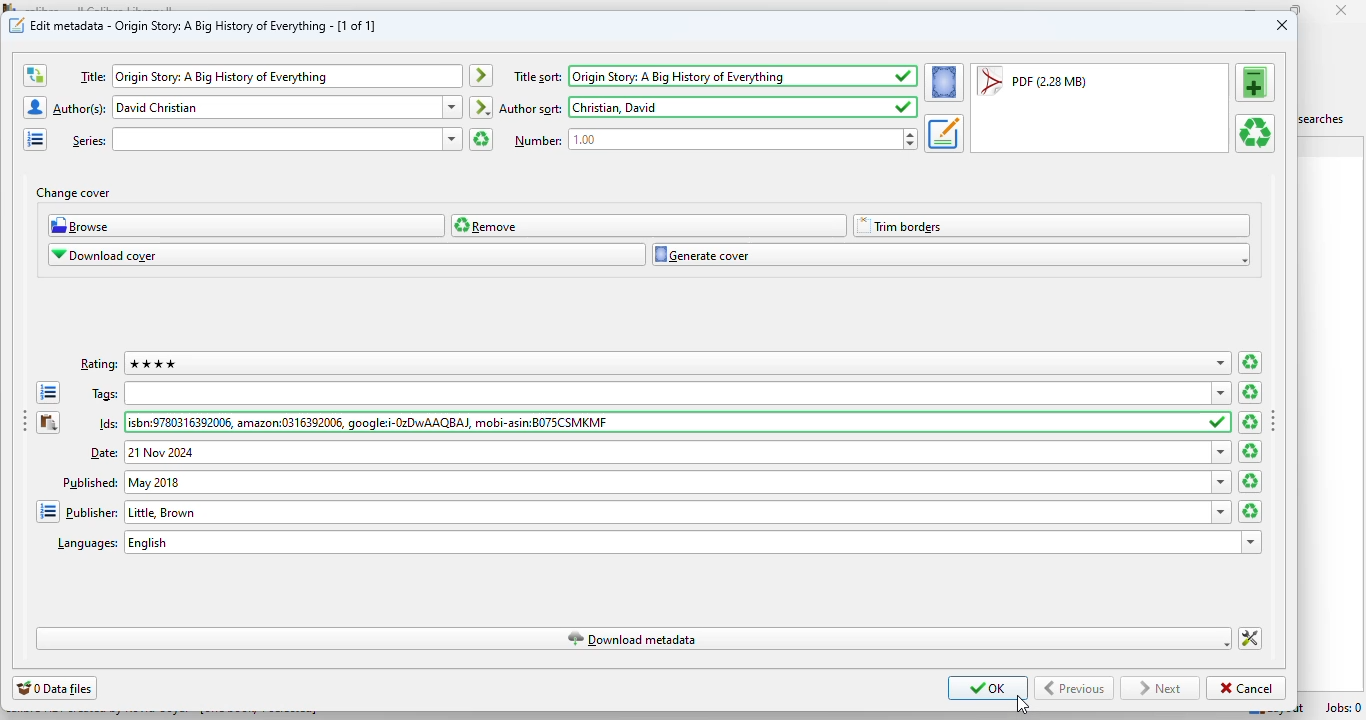 This screenshot has height=720, width=1366. I want to click on text, so click(89, 141).